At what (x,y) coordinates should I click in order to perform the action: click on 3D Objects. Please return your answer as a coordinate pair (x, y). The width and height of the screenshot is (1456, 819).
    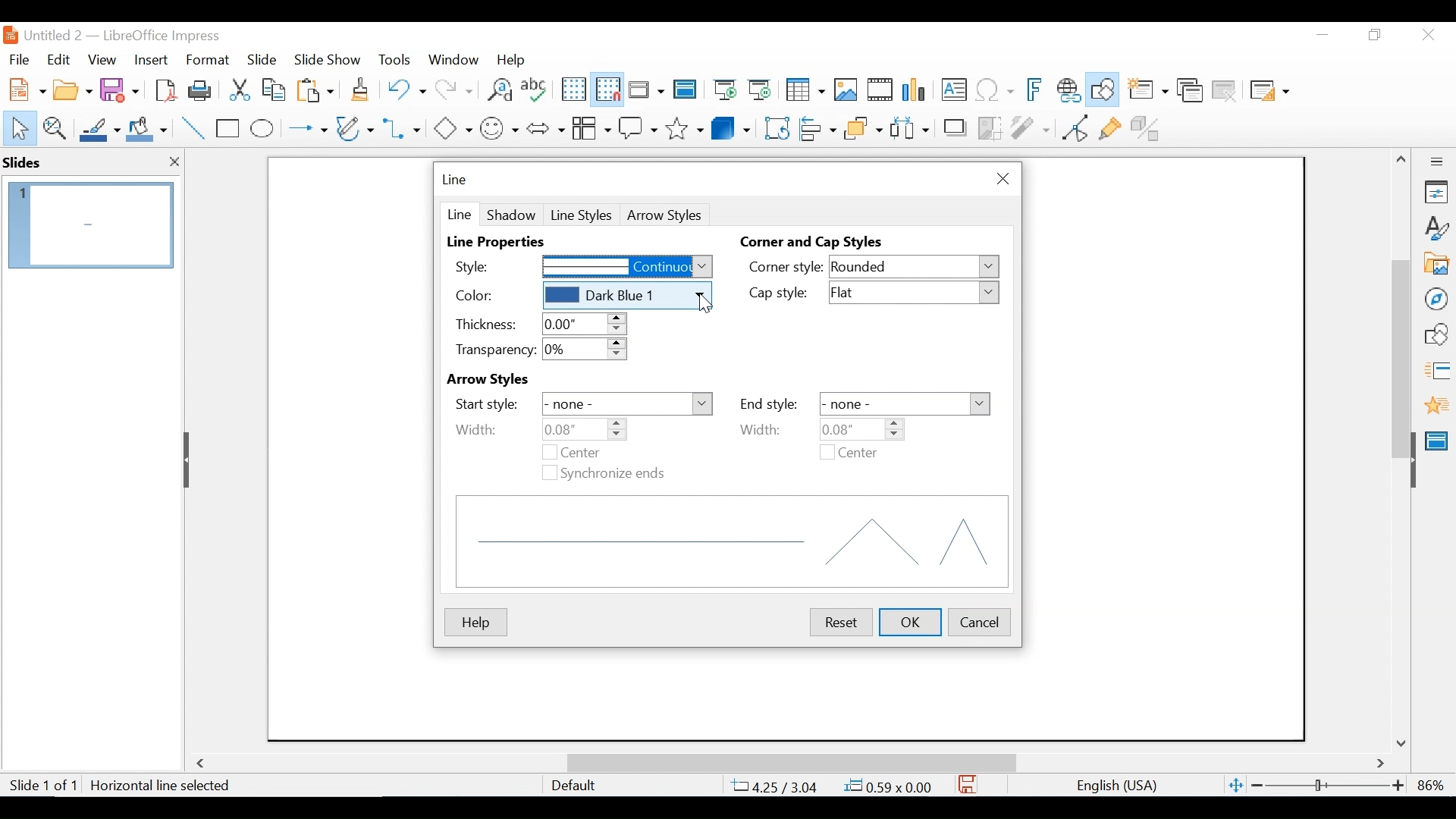
    Looking at the image, I should click on (731, 127).